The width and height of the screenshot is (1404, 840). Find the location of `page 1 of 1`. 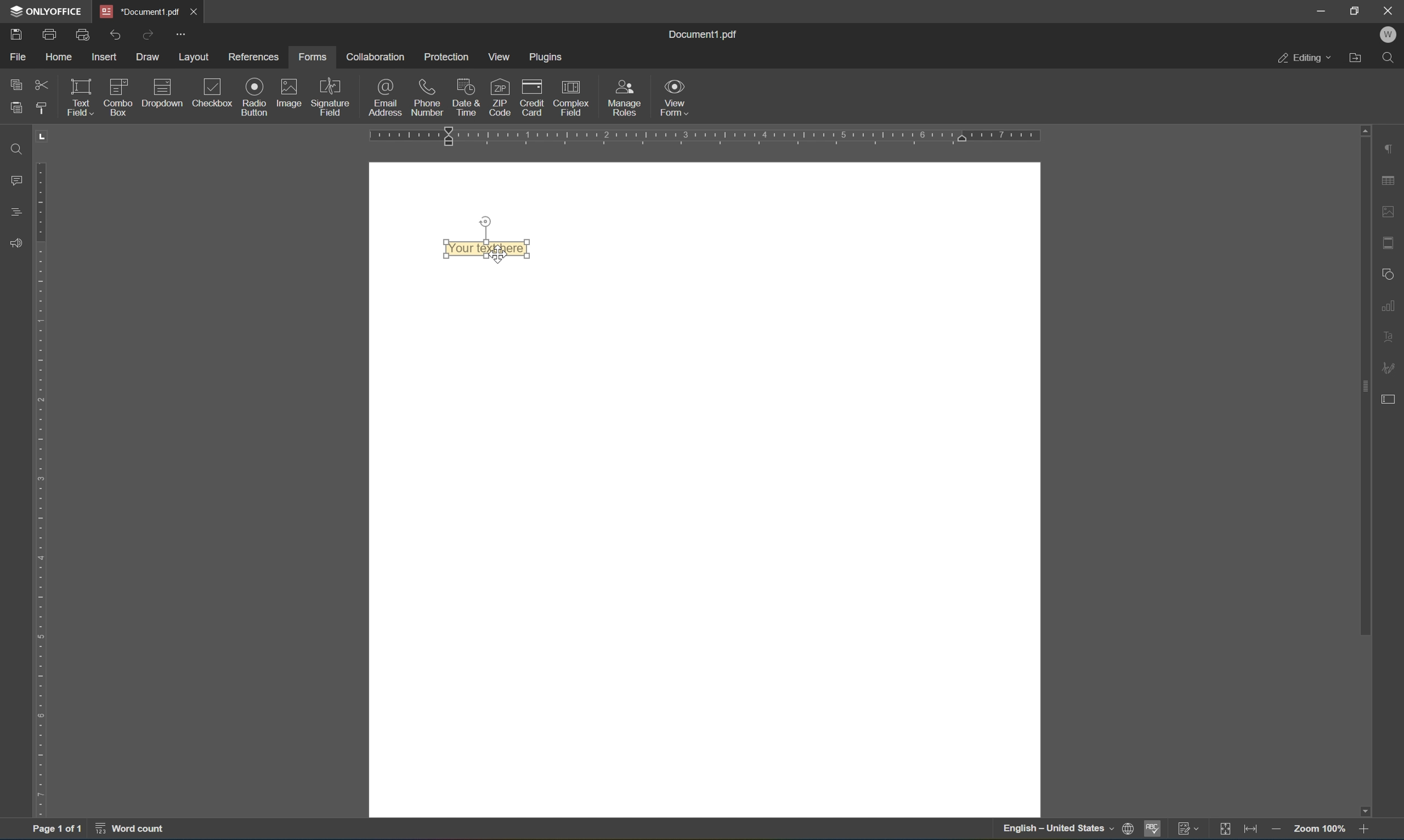

page 1 of 1 is located at coordinates (57, 831).